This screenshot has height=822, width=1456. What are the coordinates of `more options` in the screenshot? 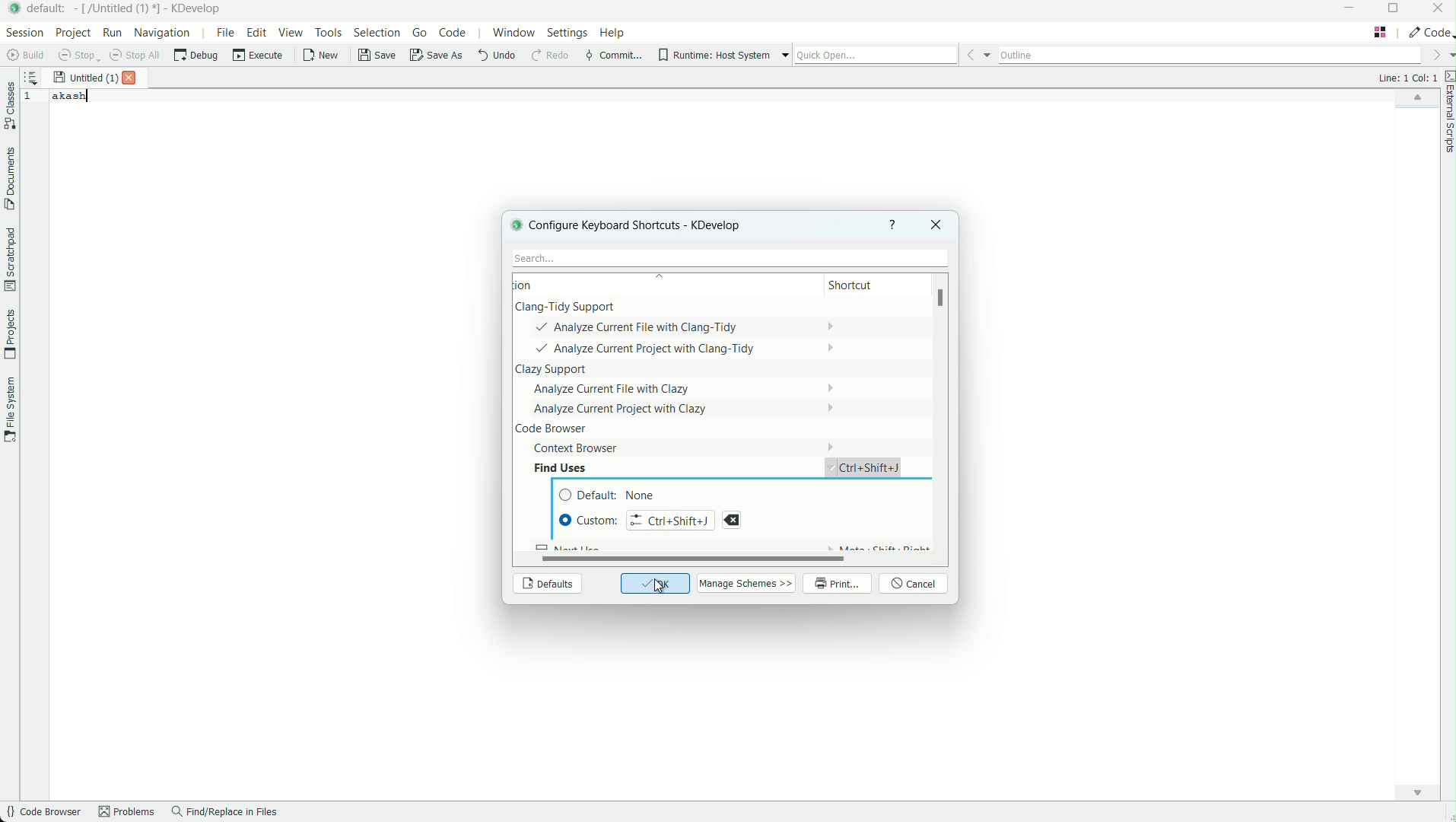 It's located at (785, 56).